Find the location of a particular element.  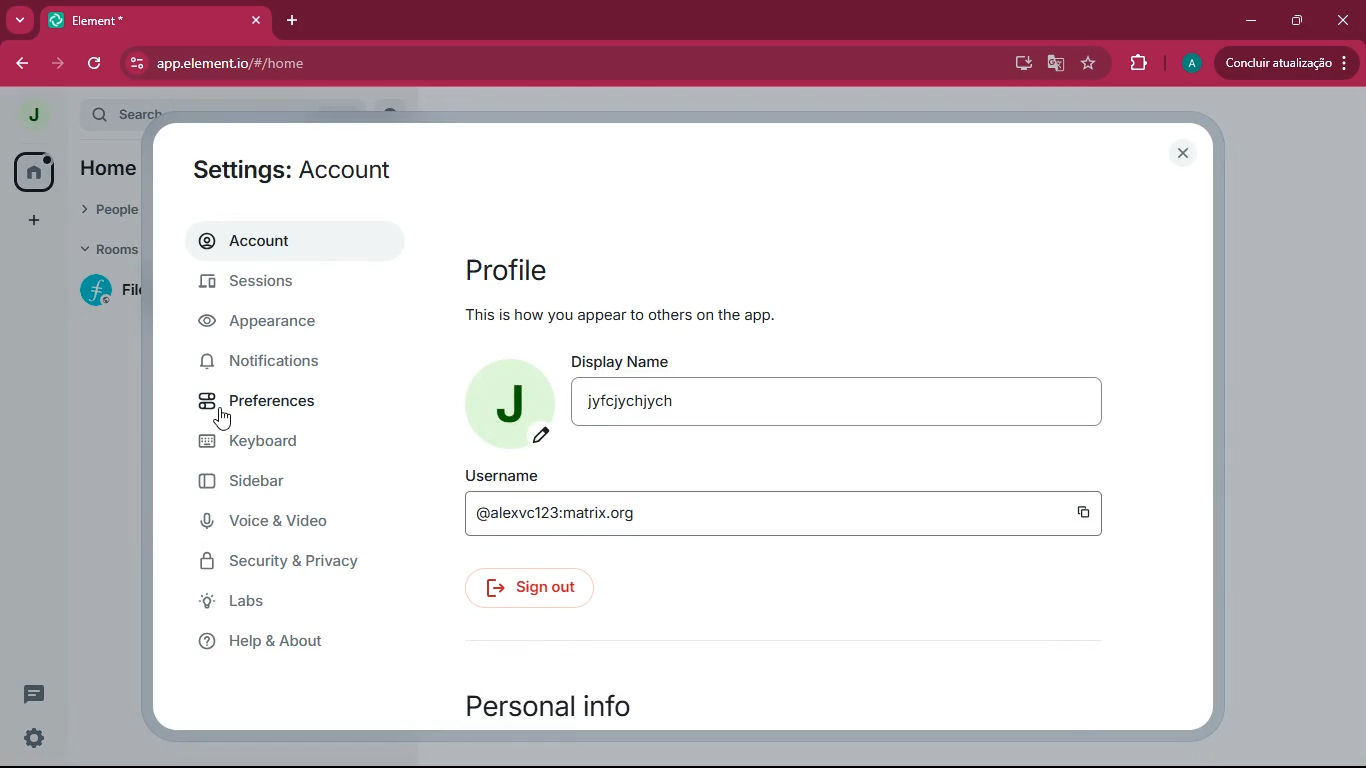

profile this is how you appear to others on the app is located at coordinates (650, 289).